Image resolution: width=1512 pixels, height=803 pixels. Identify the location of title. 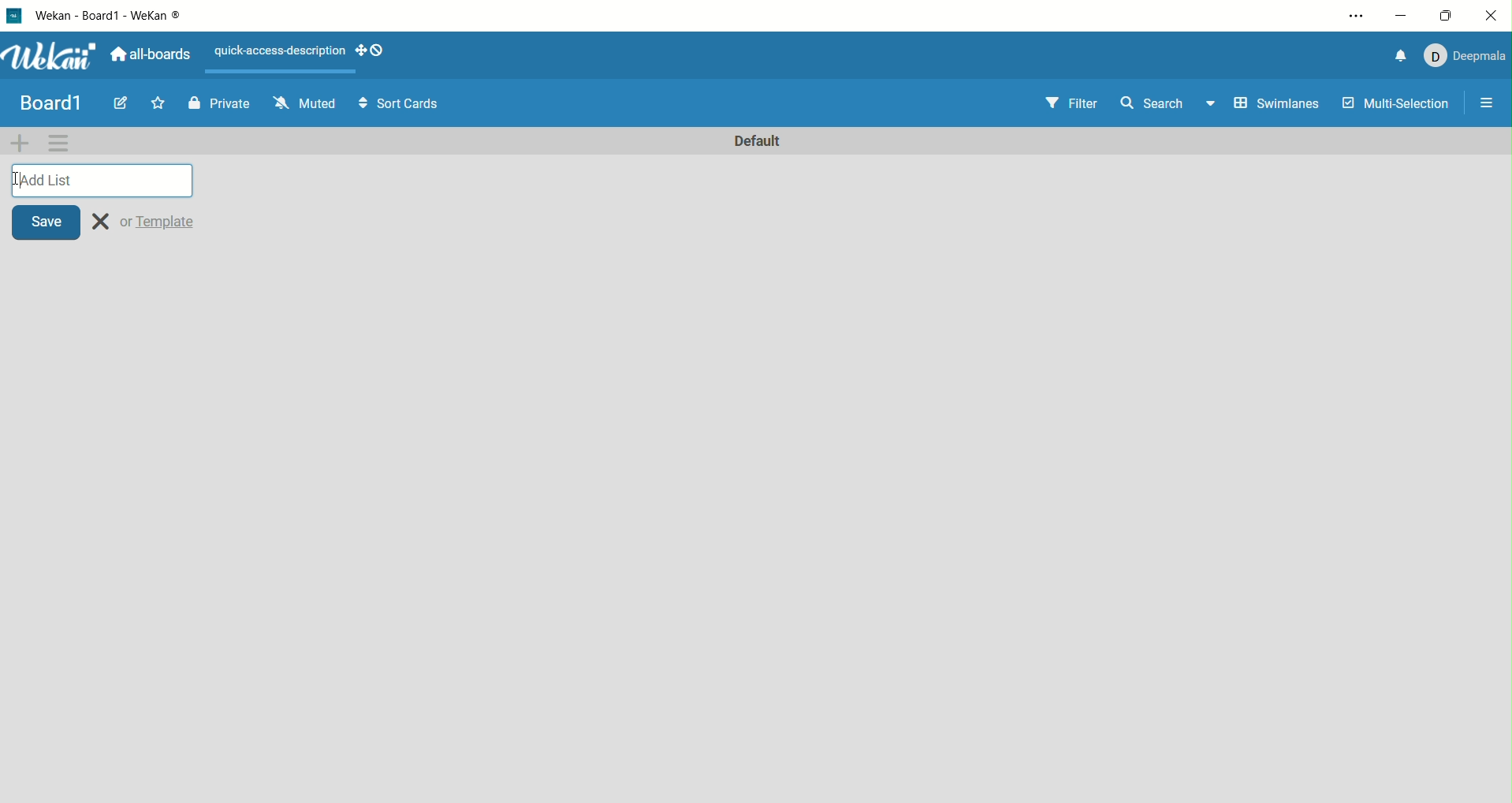
(50, 101).